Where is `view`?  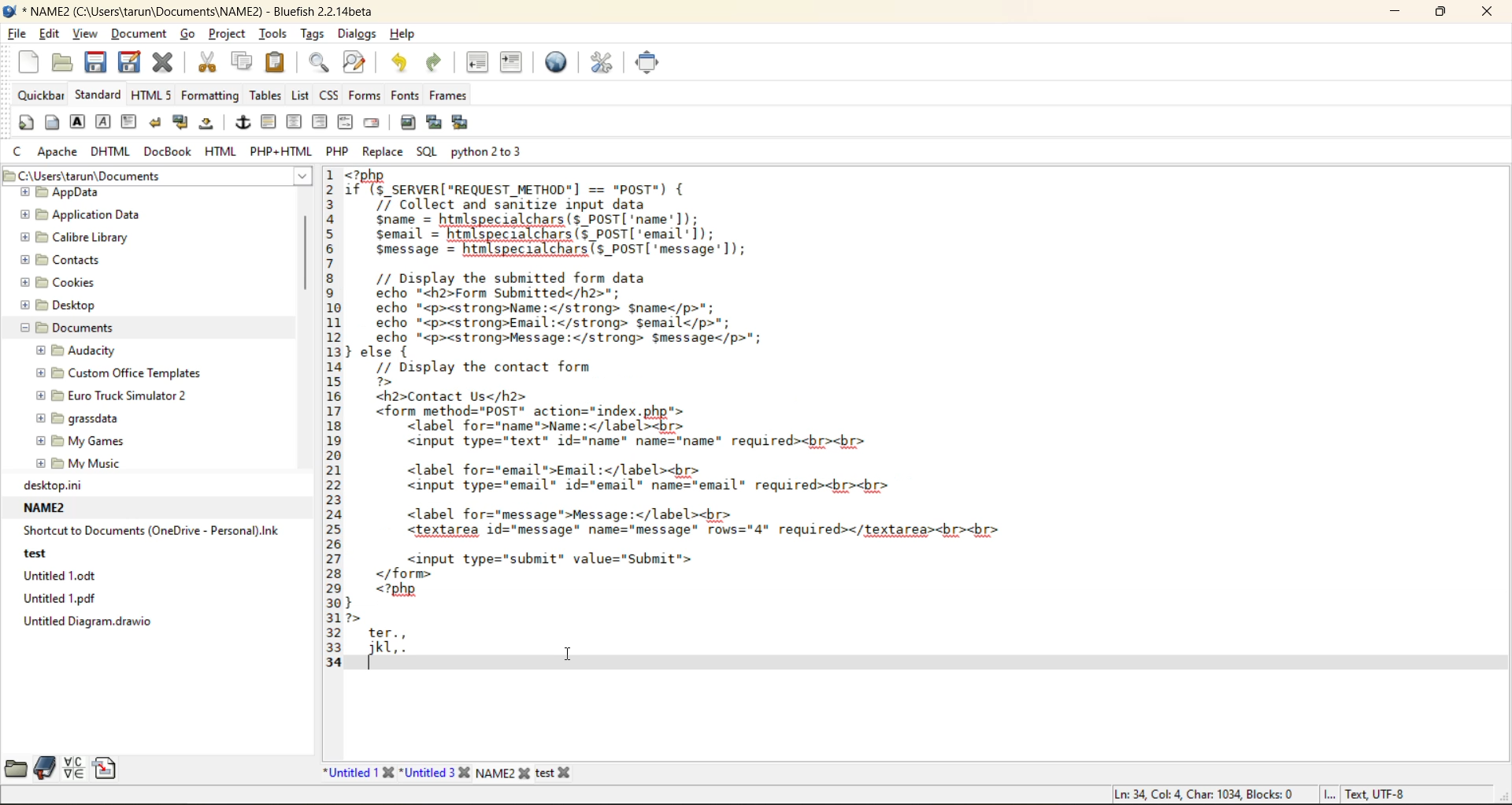
view is located at coordinates (86, 35).